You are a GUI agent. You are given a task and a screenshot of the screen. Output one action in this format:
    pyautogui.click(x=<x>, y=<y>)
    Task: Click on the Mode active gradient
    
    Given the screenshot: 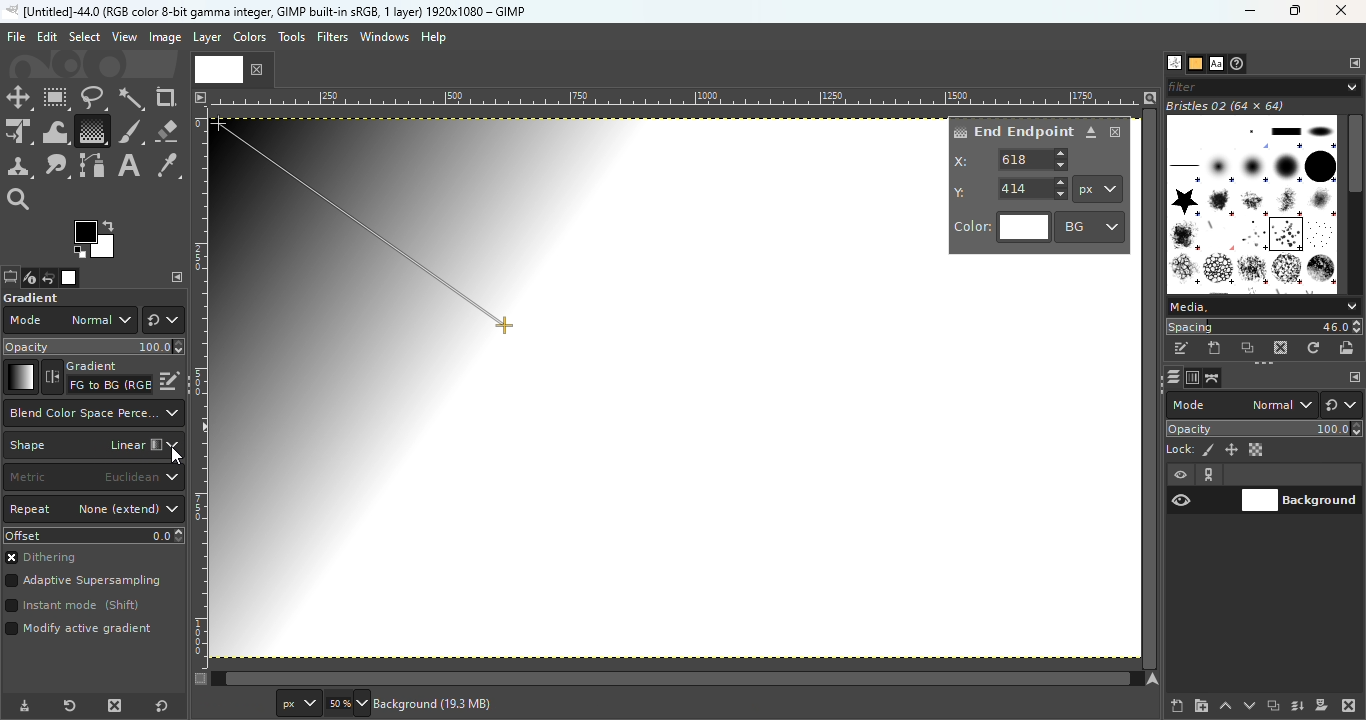 What is the action you would take?
    pyautogui.click(x=82, y=633)
    